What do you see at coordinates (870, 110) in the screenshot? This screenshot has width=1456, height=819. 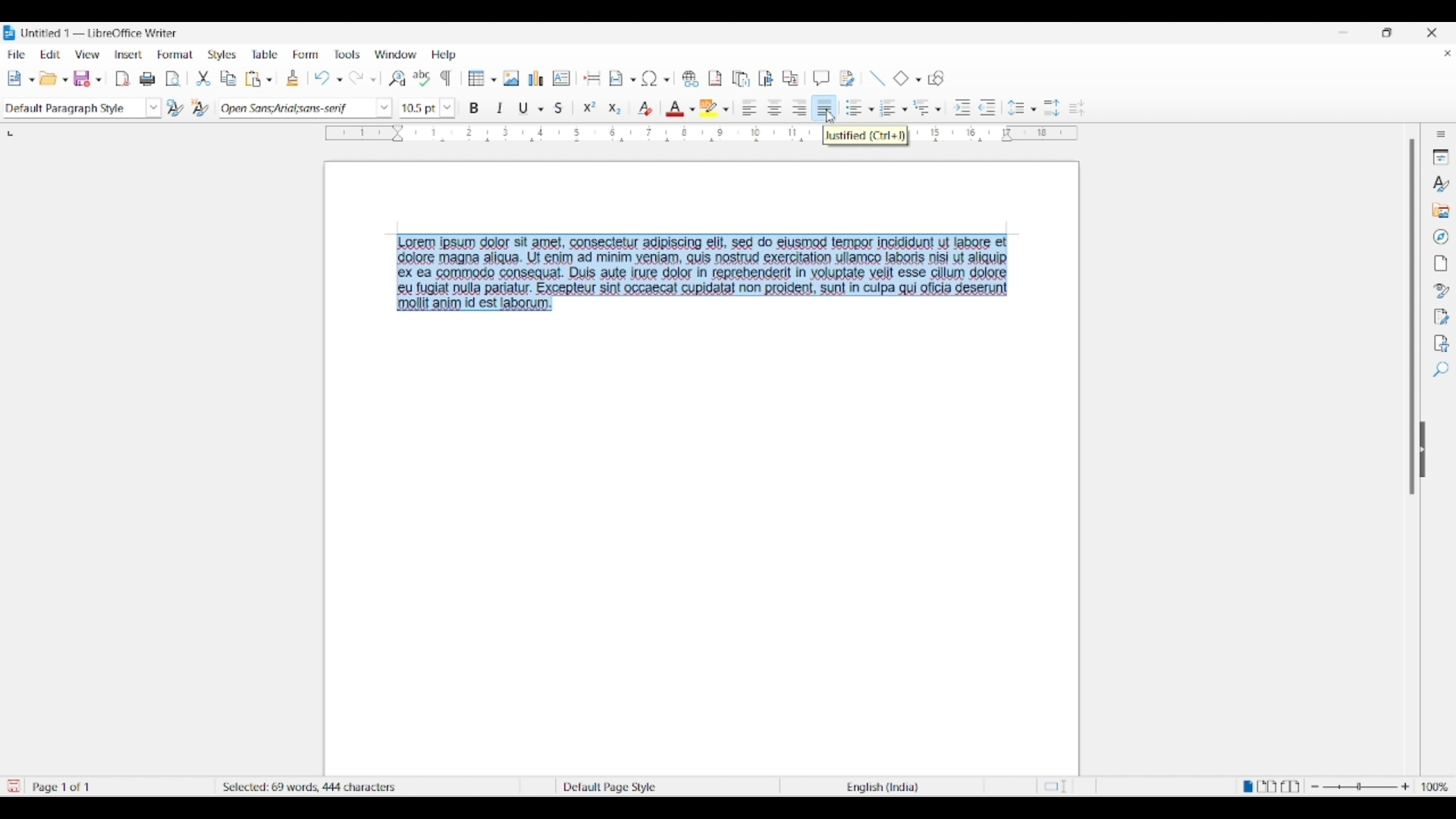 I see `Toggle unordered list options` at bounding box center [870, 110].